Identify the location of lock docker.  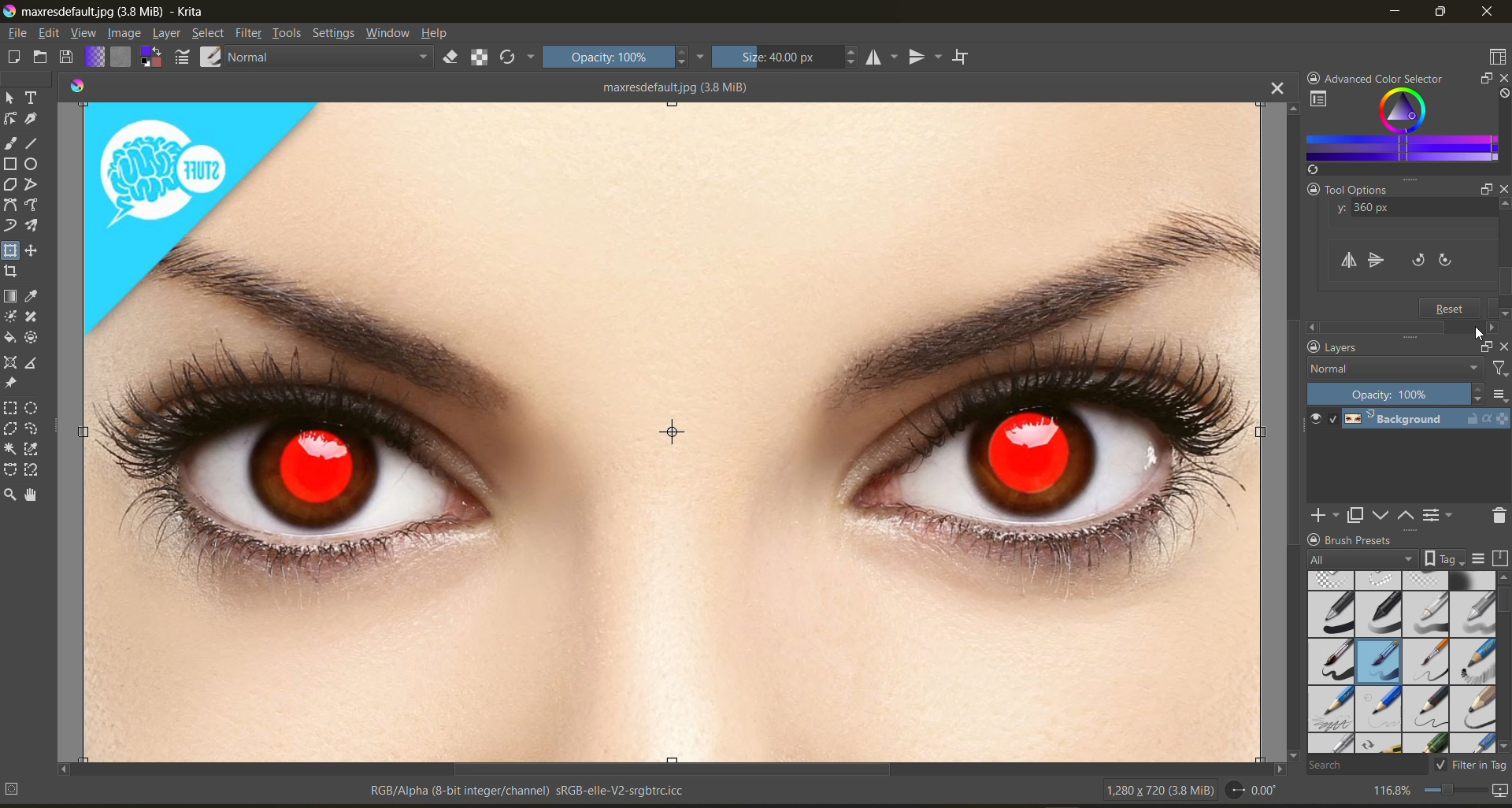
(1312, 347).